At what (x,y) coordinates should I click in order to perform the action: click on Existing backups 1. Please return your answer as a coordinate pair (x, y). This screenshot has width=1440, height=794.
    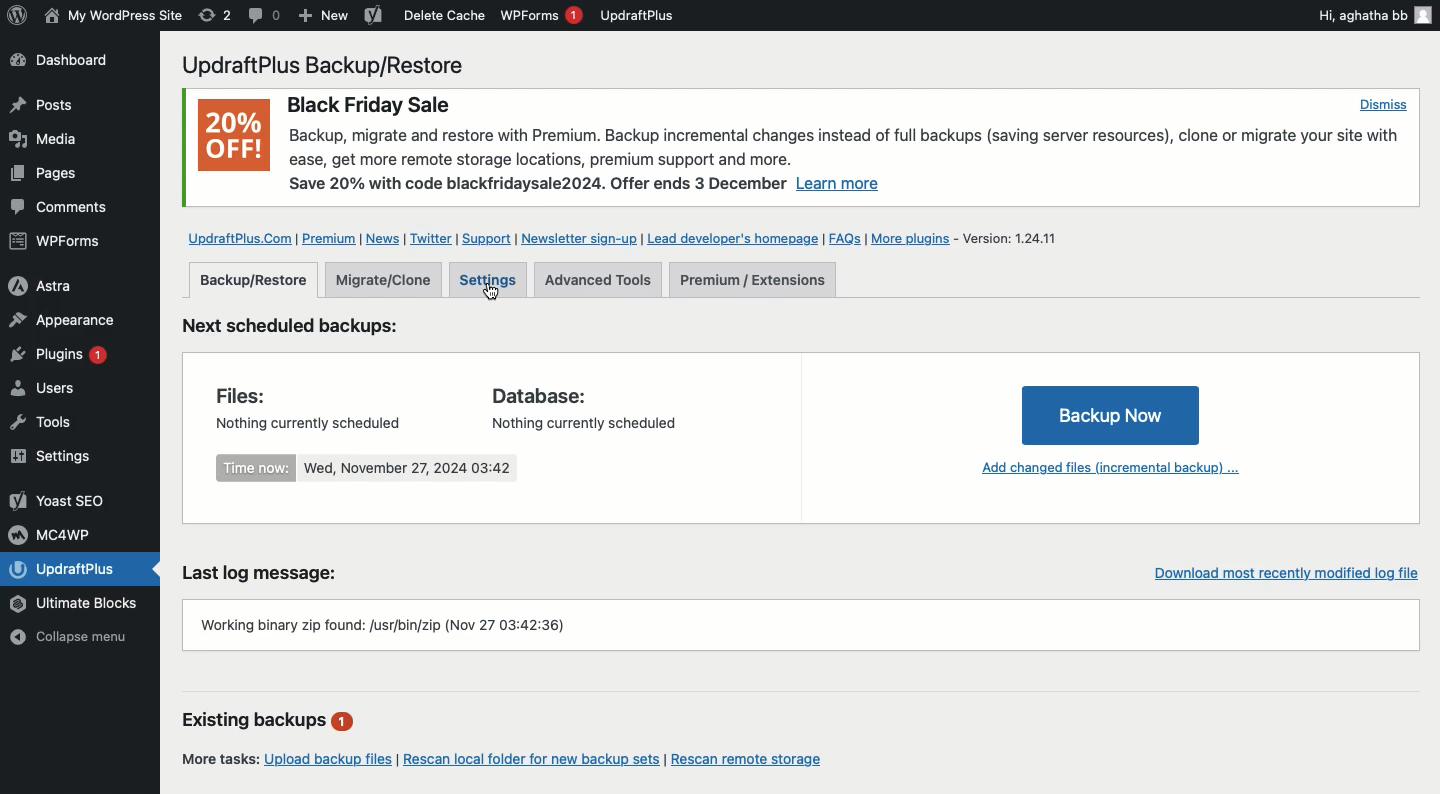
    Looking at the image, I should click on (280, 719).